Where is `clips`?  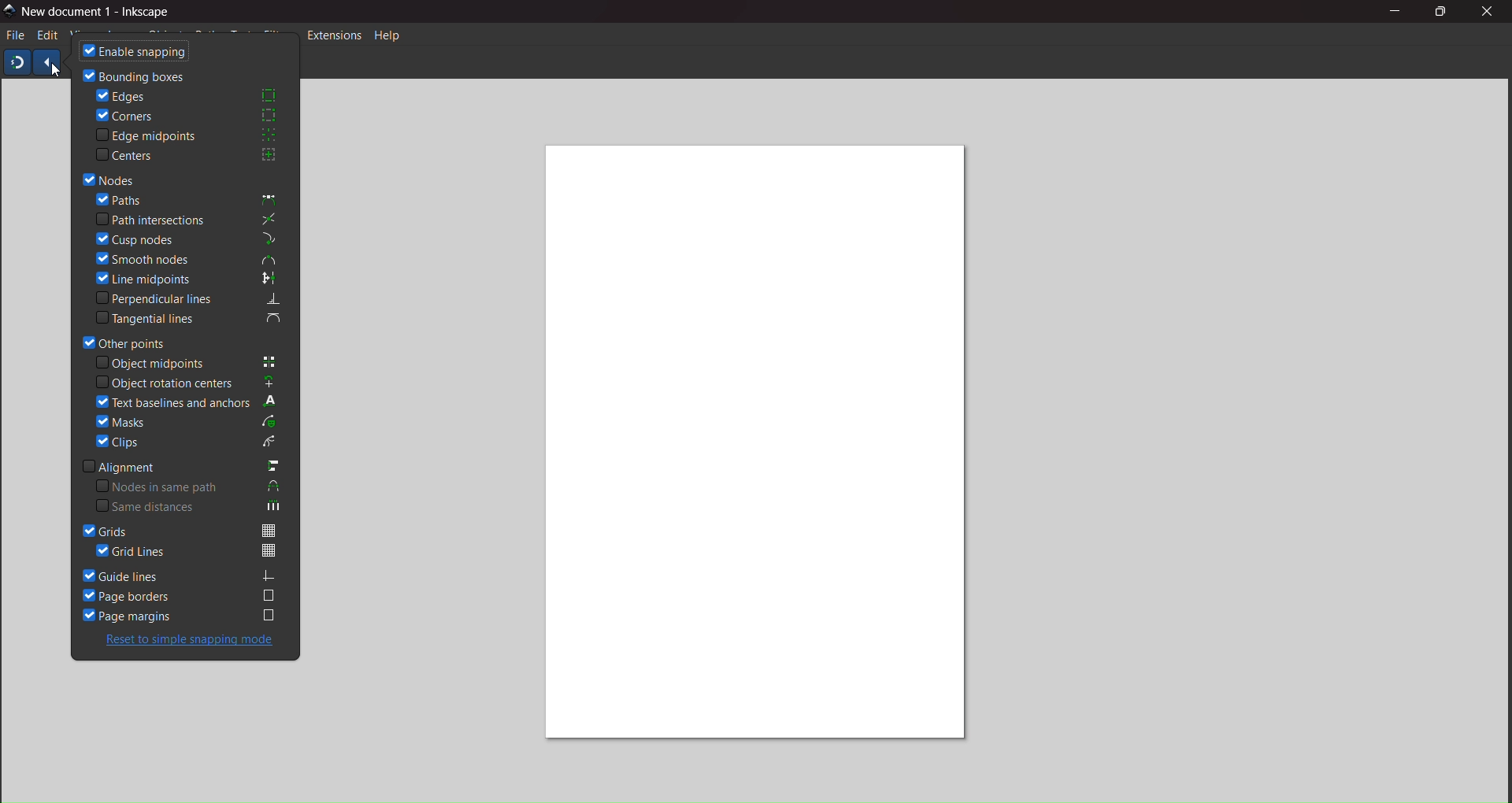
clips is located at coordinates (189, 442).